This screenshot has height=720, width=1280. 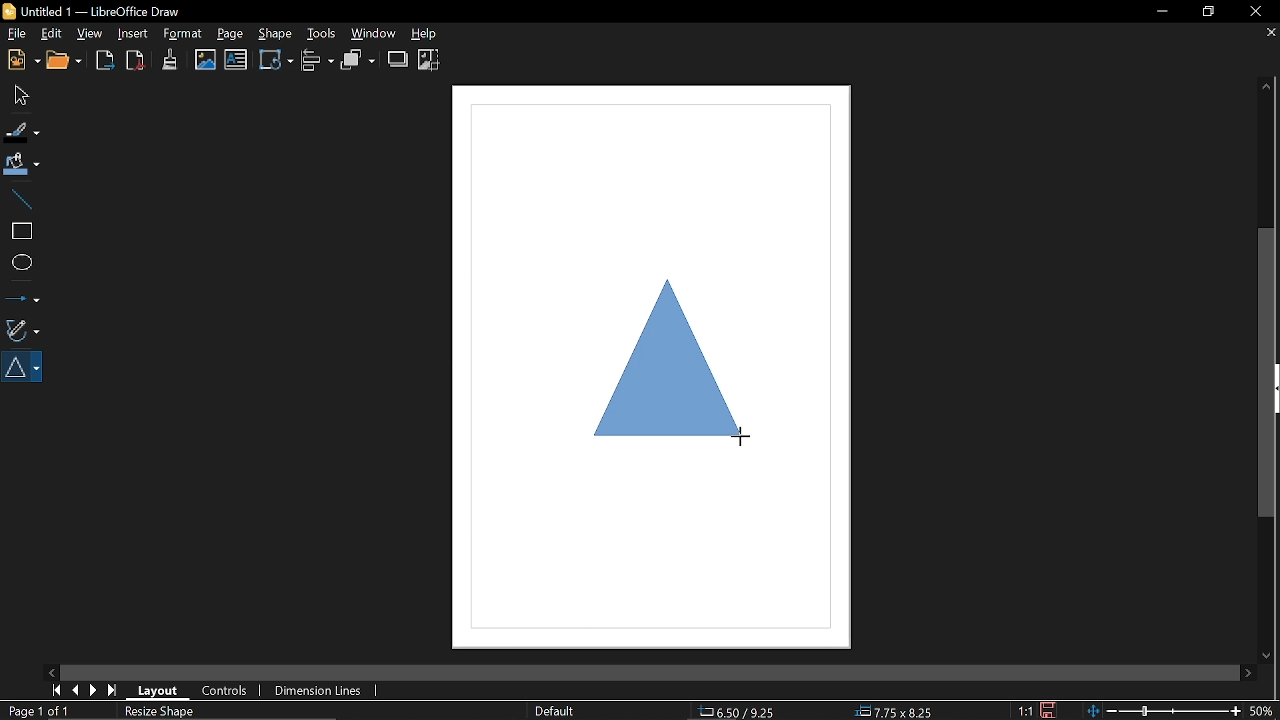 What do you see at coordinates (155, 689) in the screenshot?
I see `Layout` at bounding box center [155, 689].